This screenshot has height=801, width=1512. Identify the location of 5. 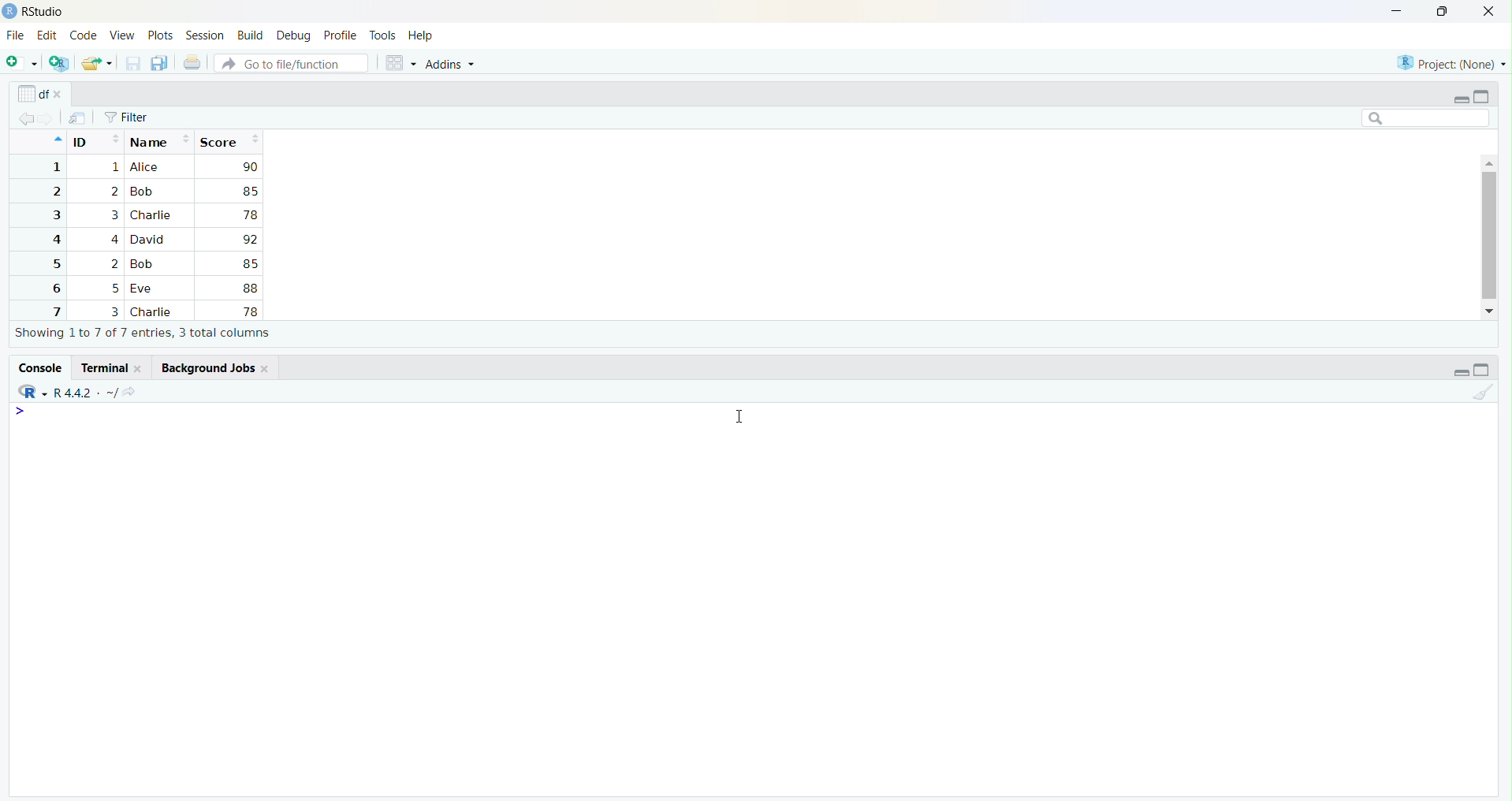
(116, 289).